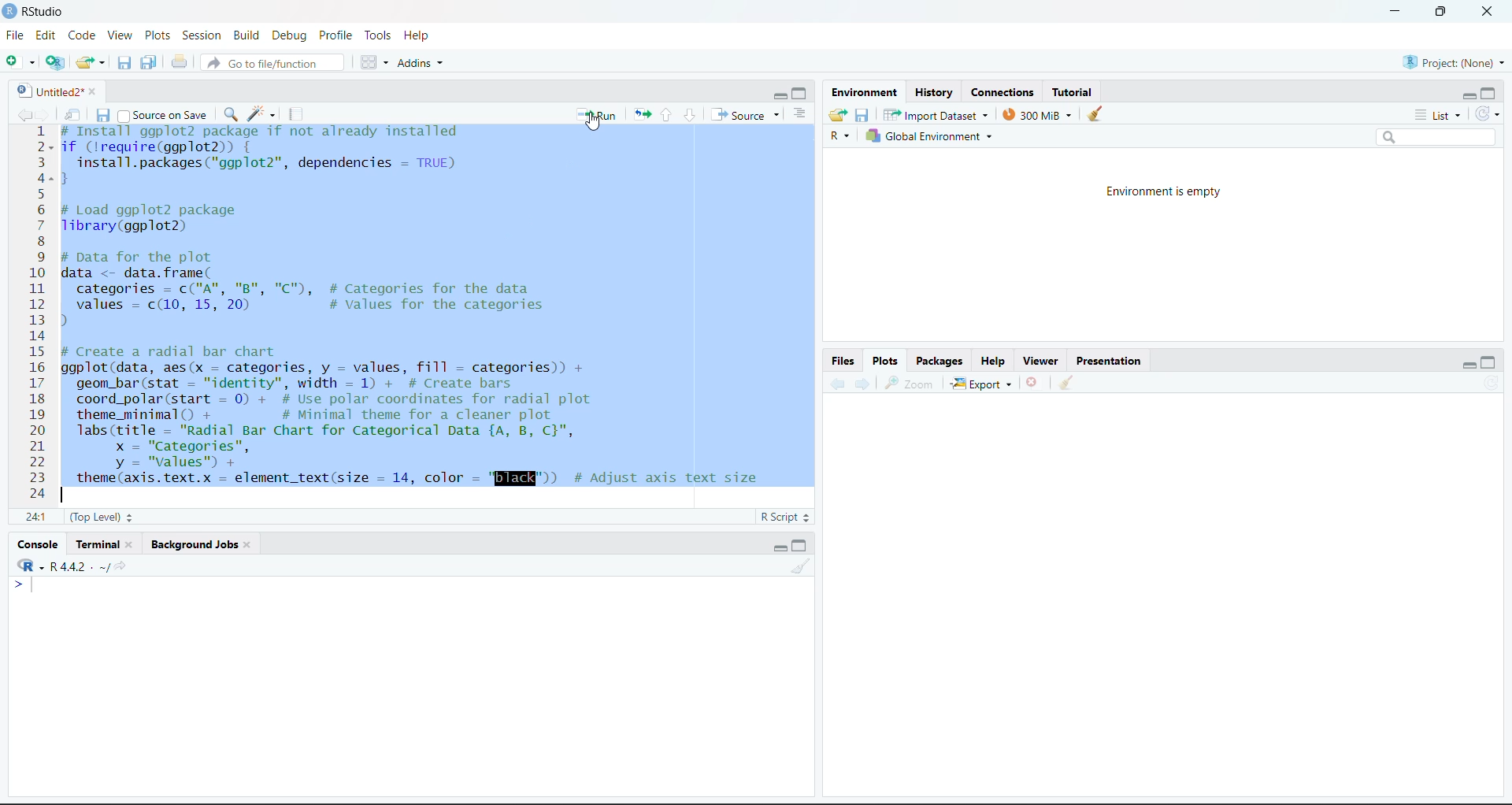  Describe the element at coordinates (45, 112) in the screenshot. I see `go back to the next source location` at that location.